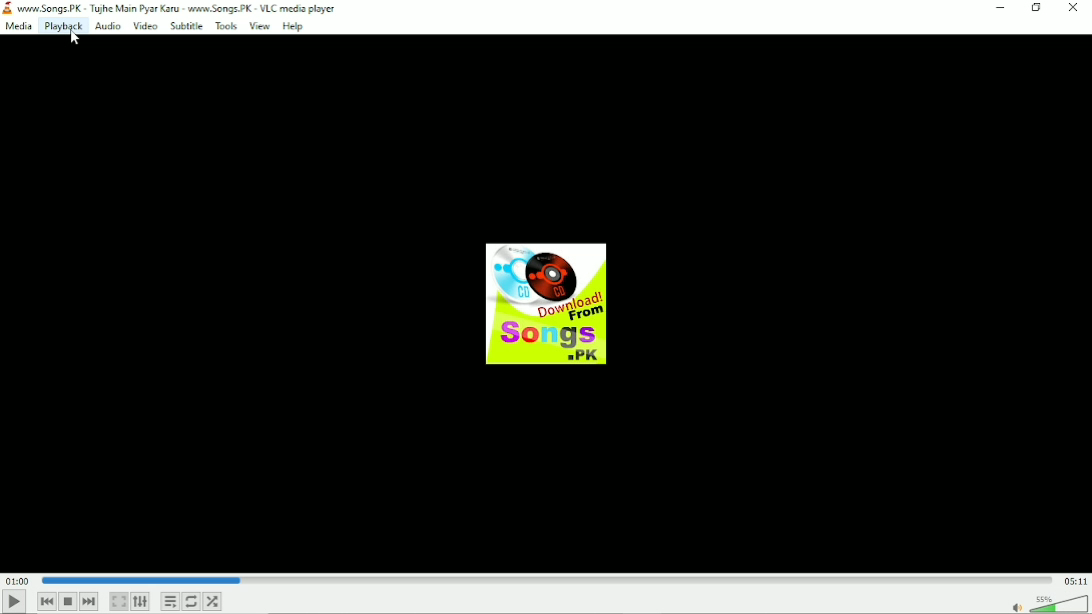 The height and width of the screenshot is (614, 1092). Describe the element at coordinates (119, 602) in the screenshot. I see `Toggle video in fullscreen` at that location.